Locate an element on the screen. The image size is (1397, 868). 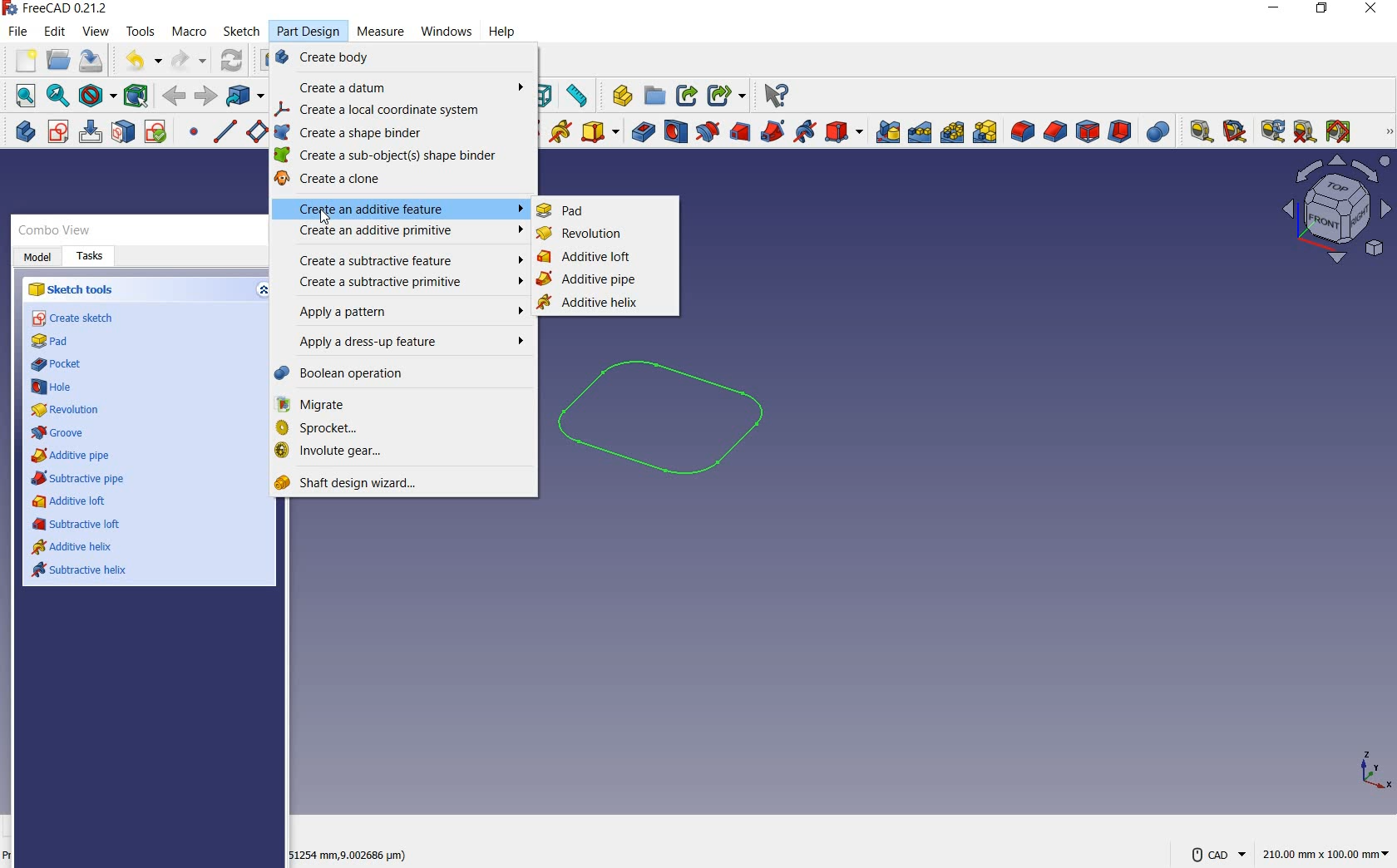
groove is located at coordinates (707, 131).